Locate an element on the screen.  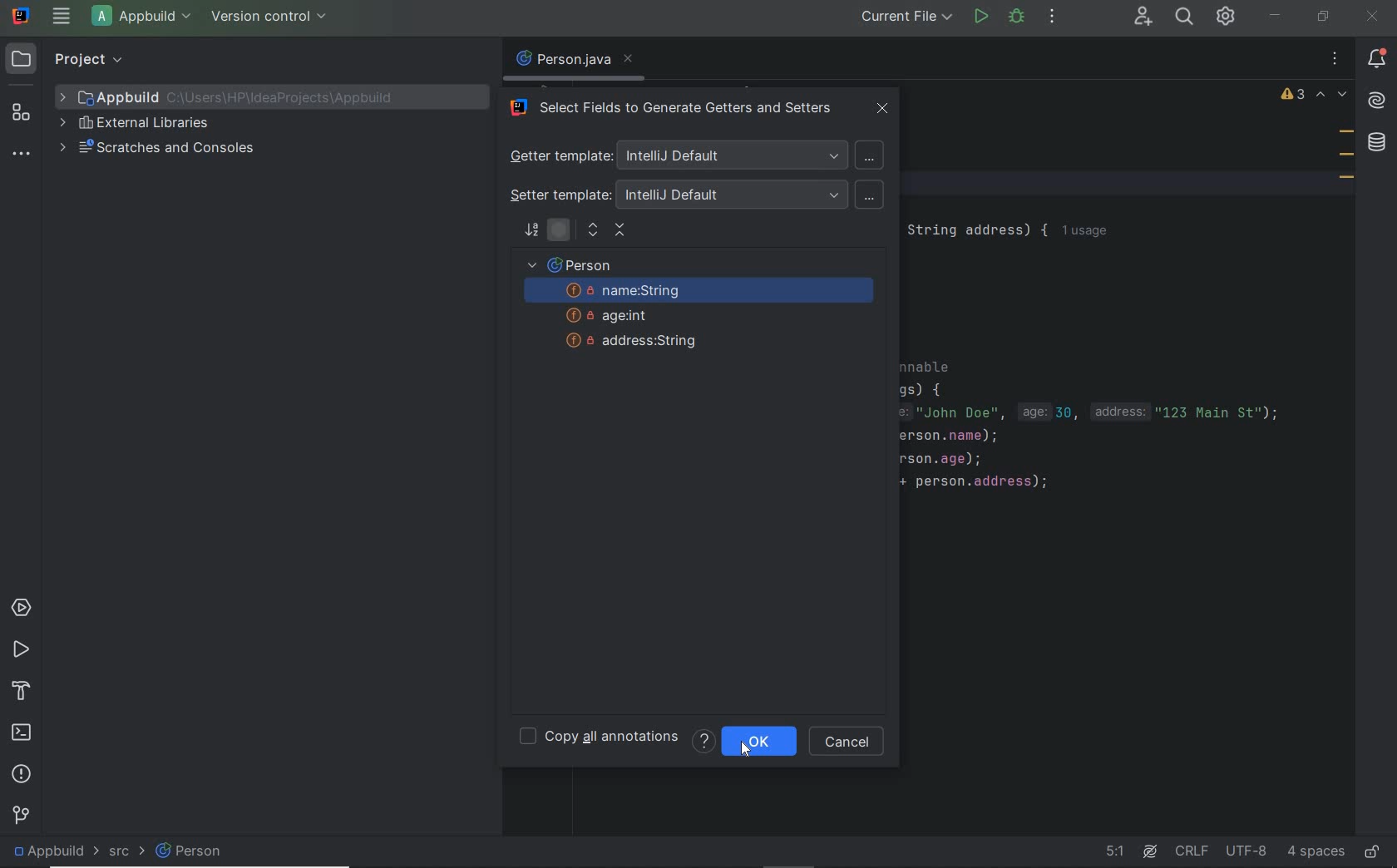
address:String is located at coordinates (629, 342).